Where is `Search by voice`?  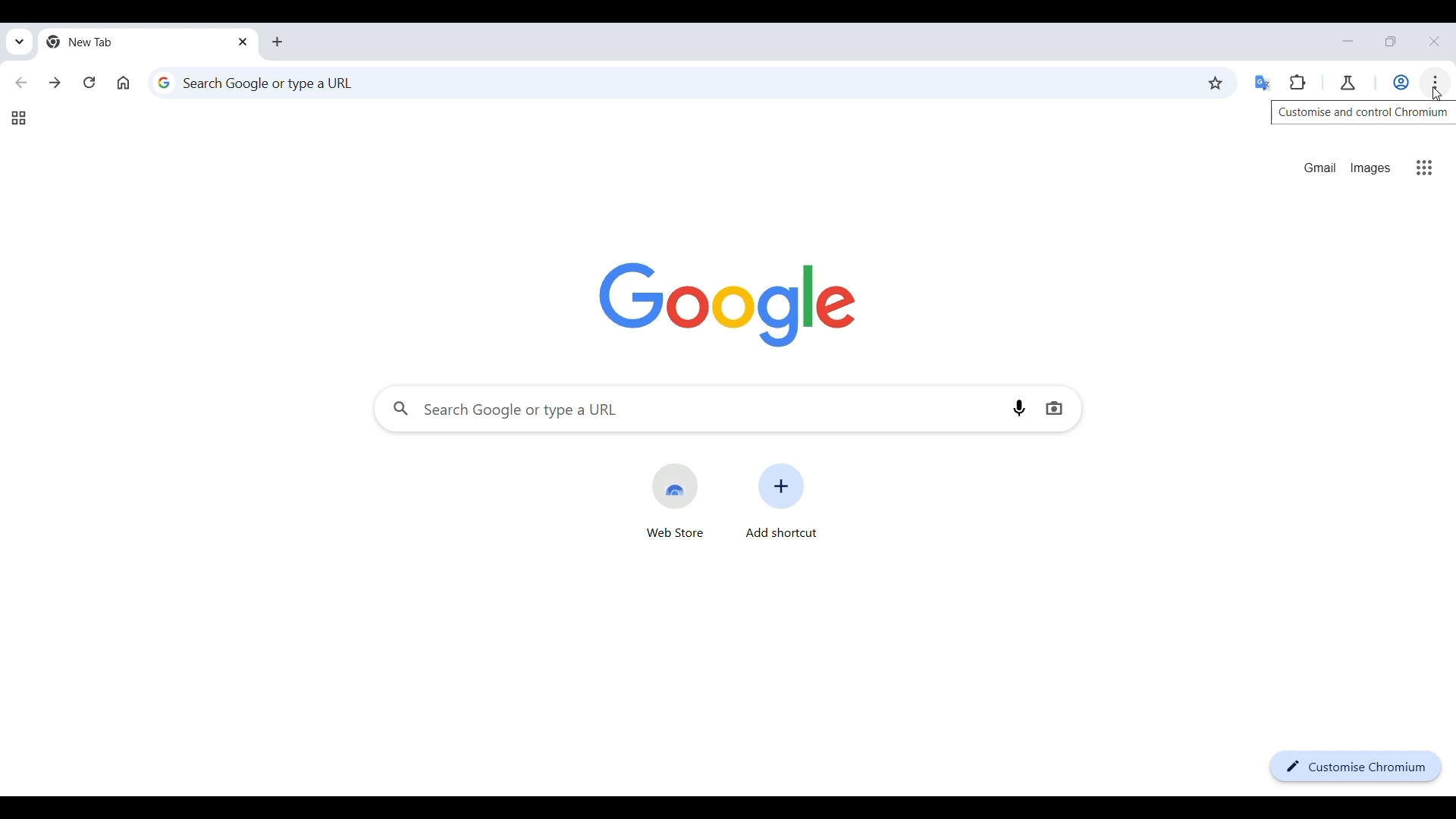 Search by voice is located at coordinates (1019, 407).